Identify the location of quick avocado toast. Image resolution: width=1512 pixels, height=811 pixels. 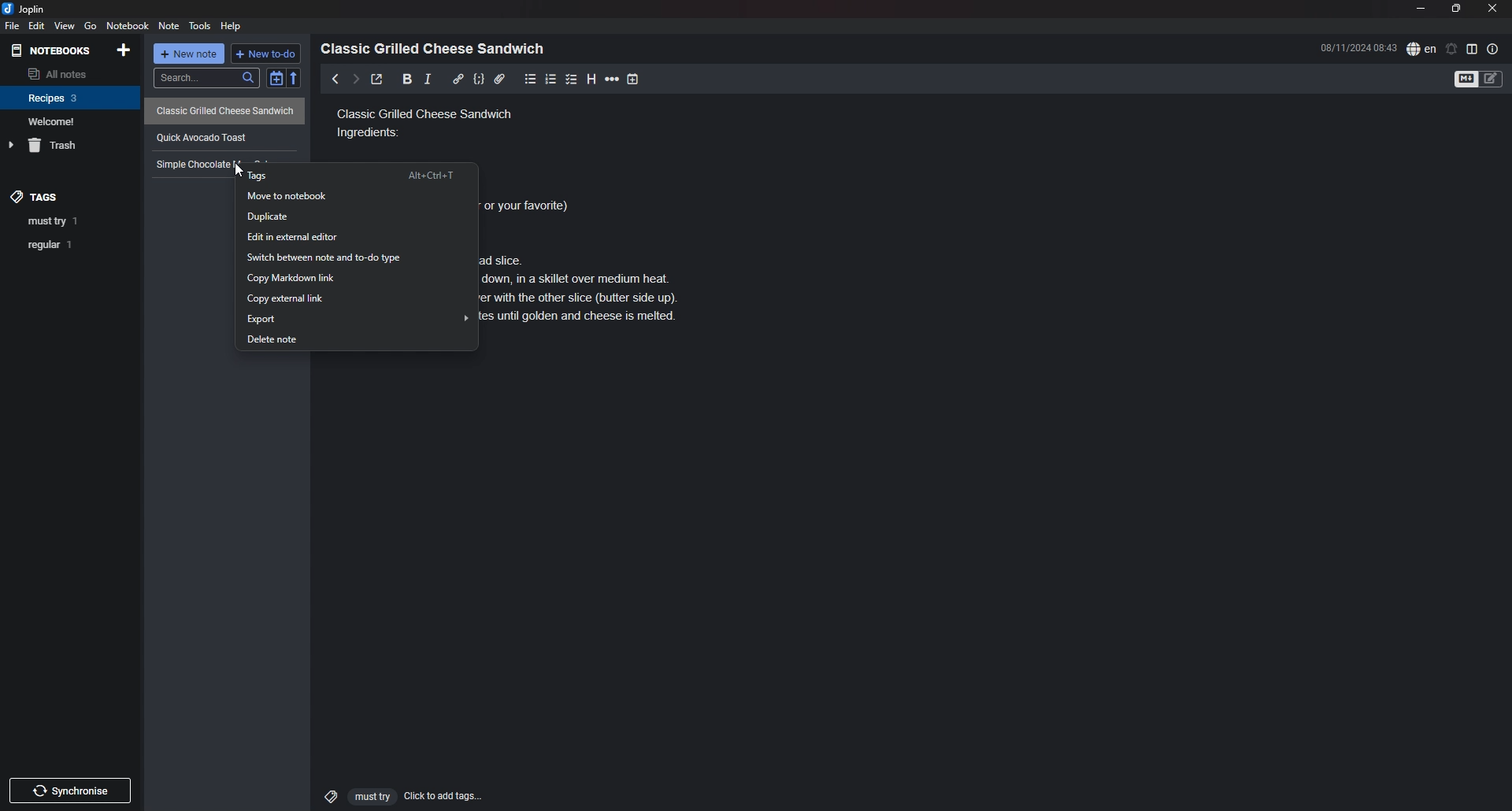
(210, 134).